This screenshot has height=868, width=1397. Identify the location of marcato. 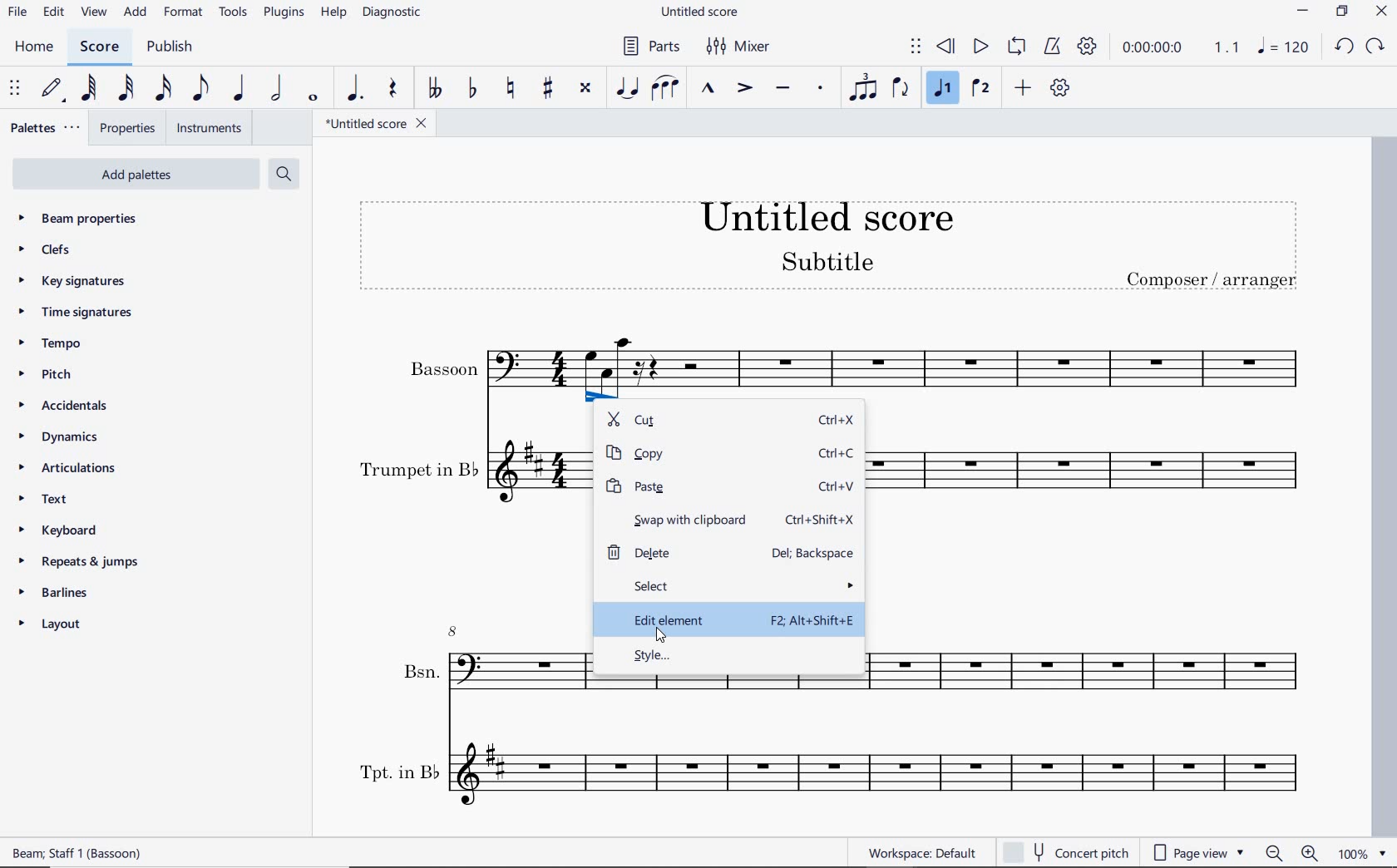
(710, 89).